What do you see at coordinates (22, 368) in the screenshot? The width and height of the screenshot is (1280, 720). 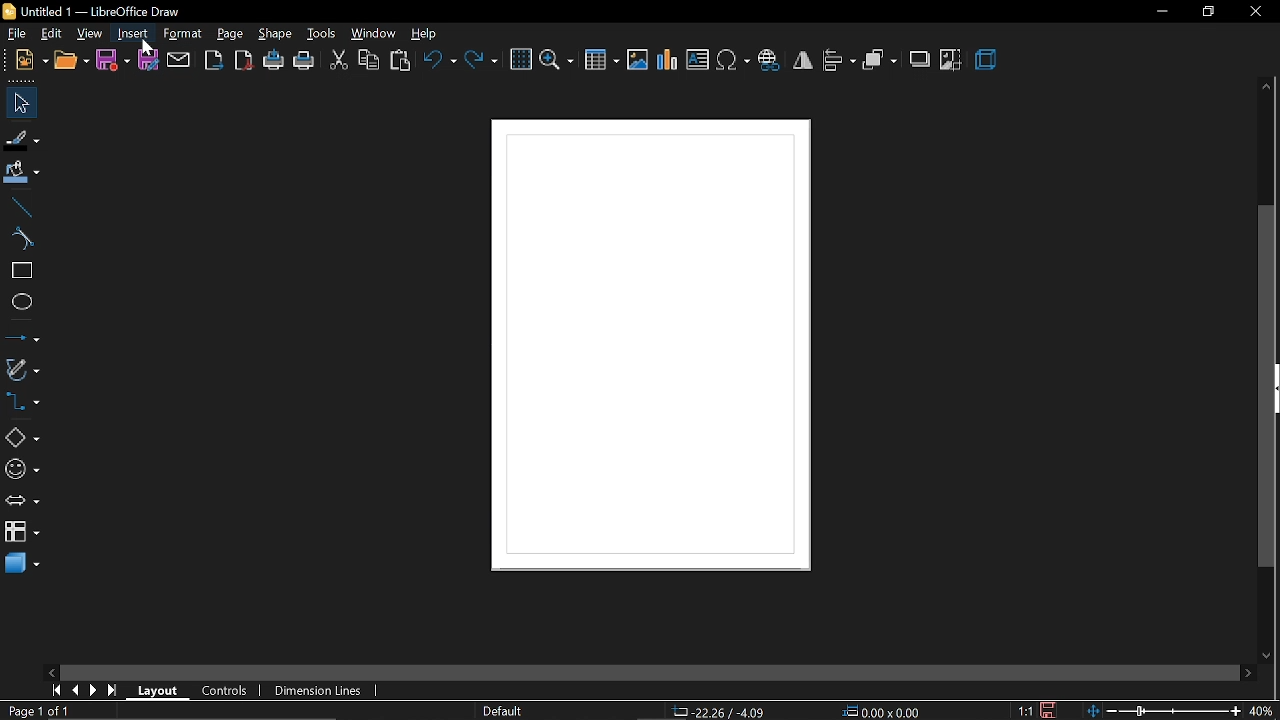 I see `curves and polygons` at bounding box center [22, 368].